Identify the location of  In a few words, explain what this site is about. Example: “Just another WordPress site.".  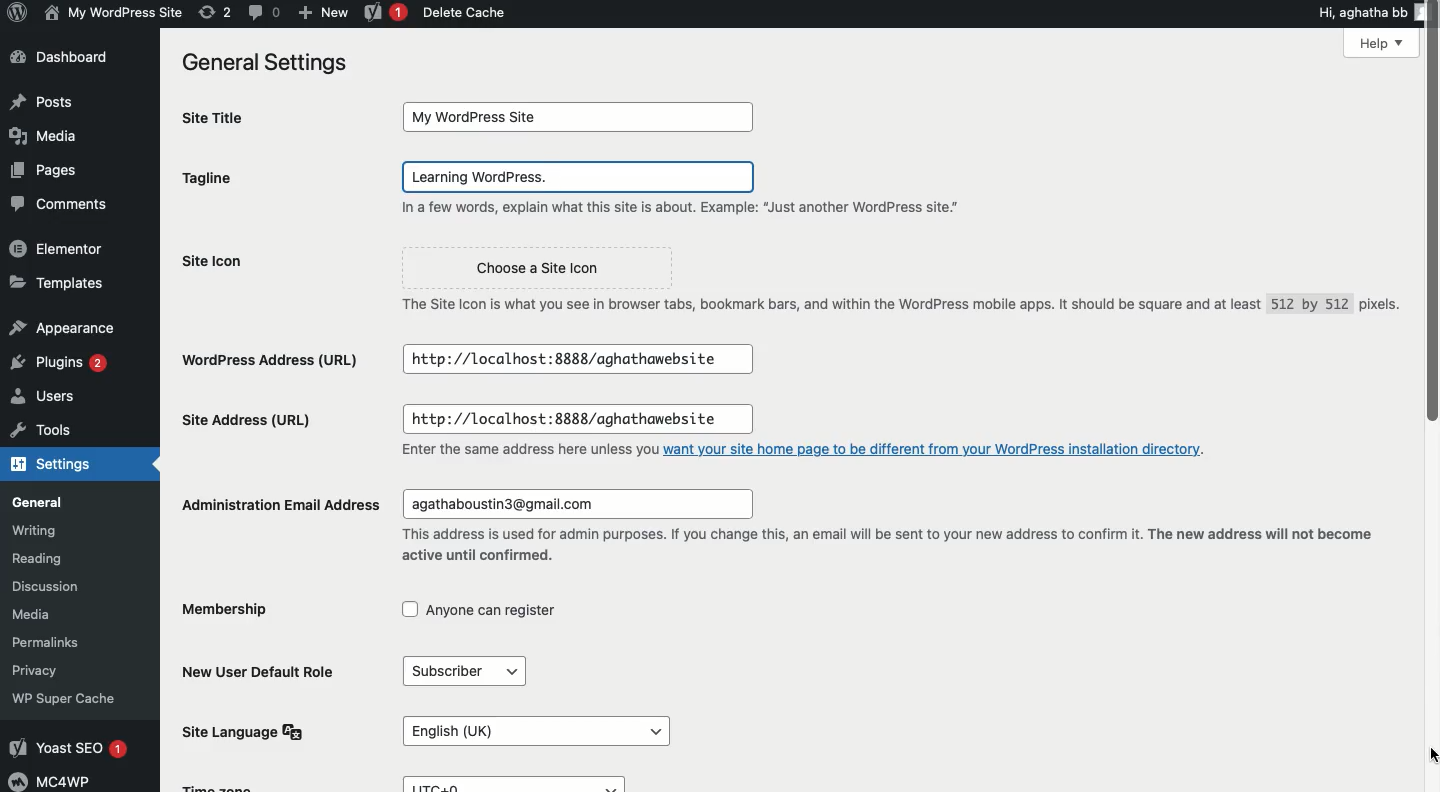
(702, 210).